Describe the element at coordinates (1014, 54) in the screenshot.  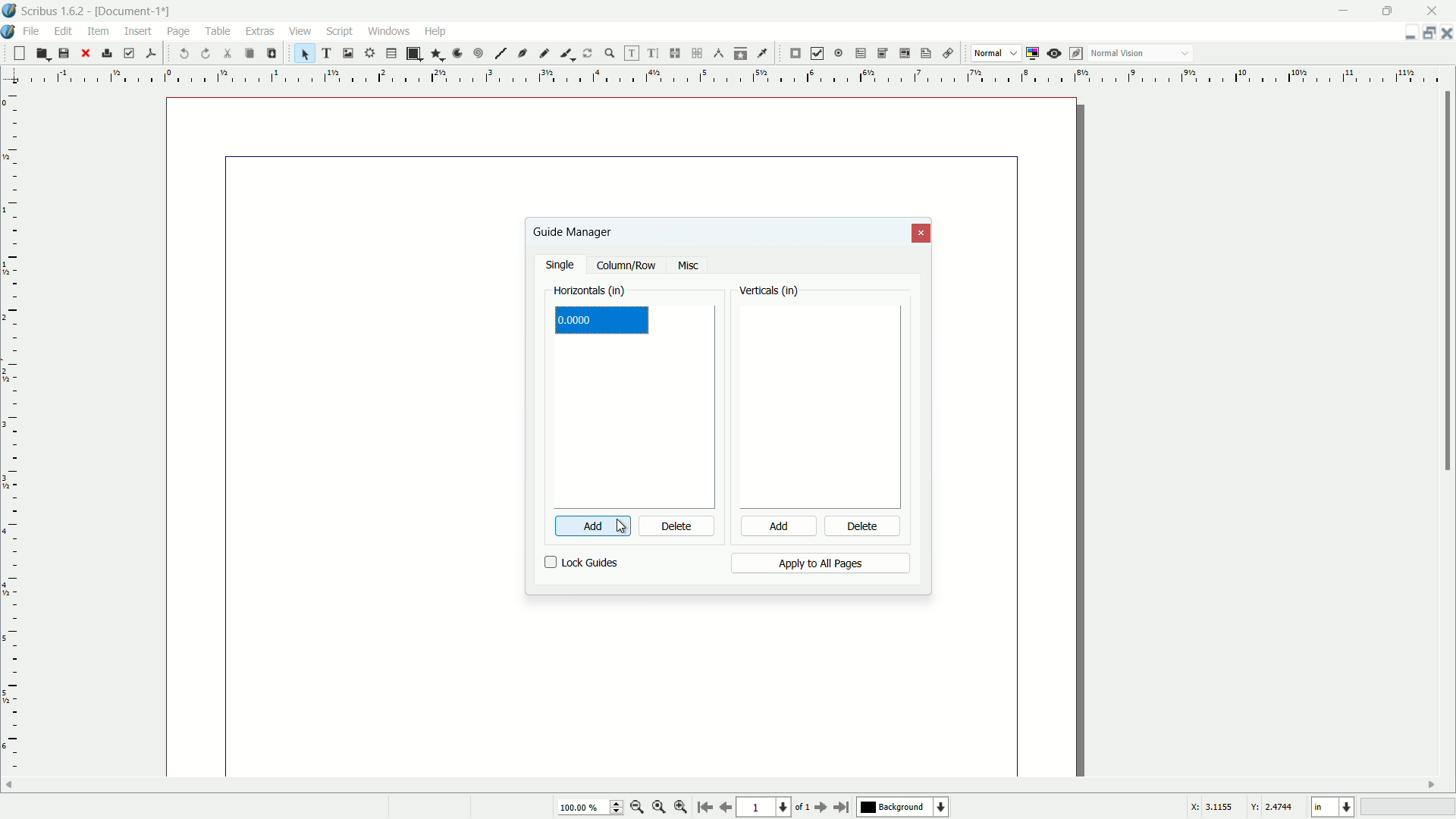
I see `dropdown` at that location.